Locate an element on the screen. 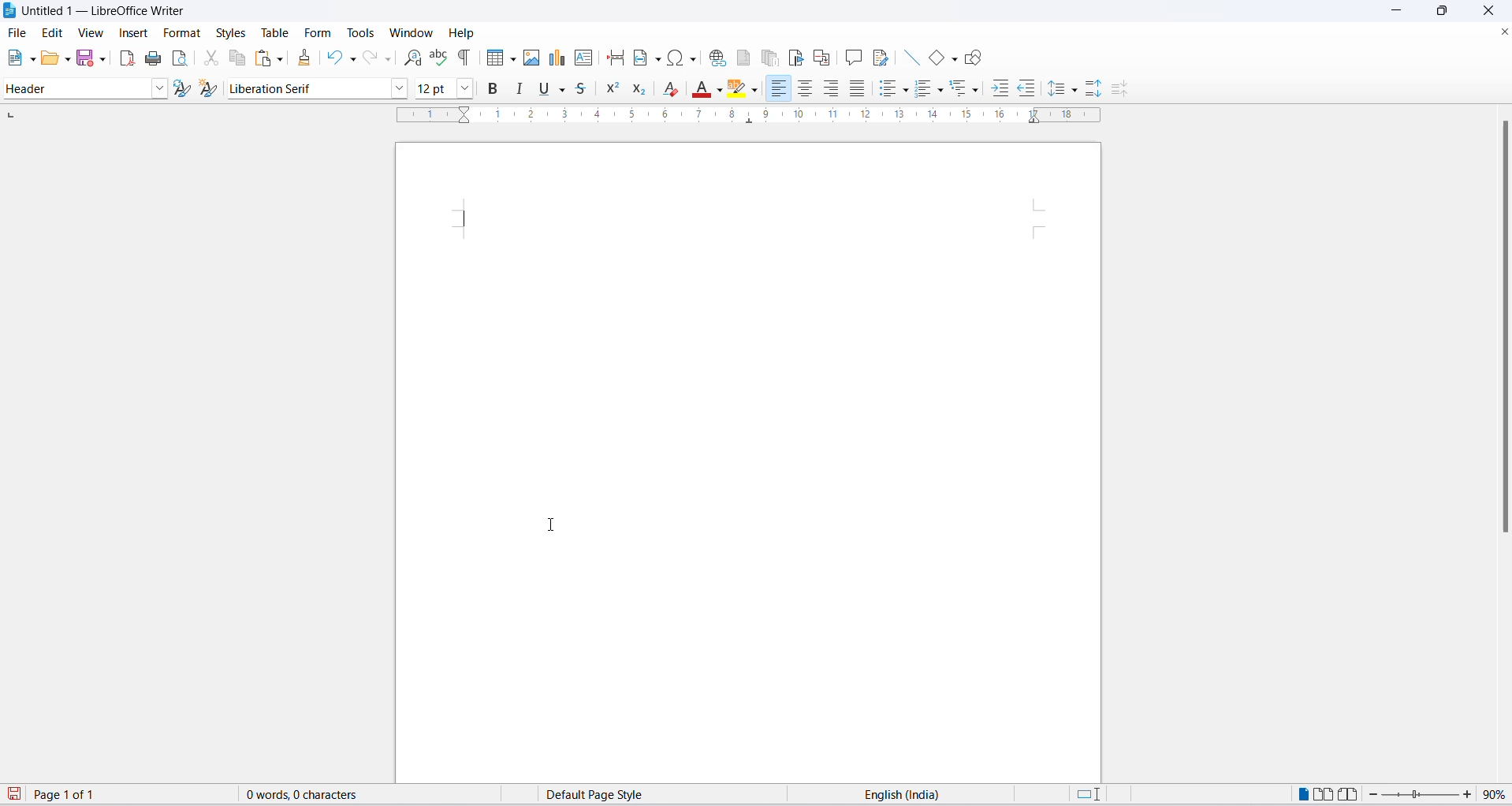  draw shapes tool is located at coordinates (976, 58).